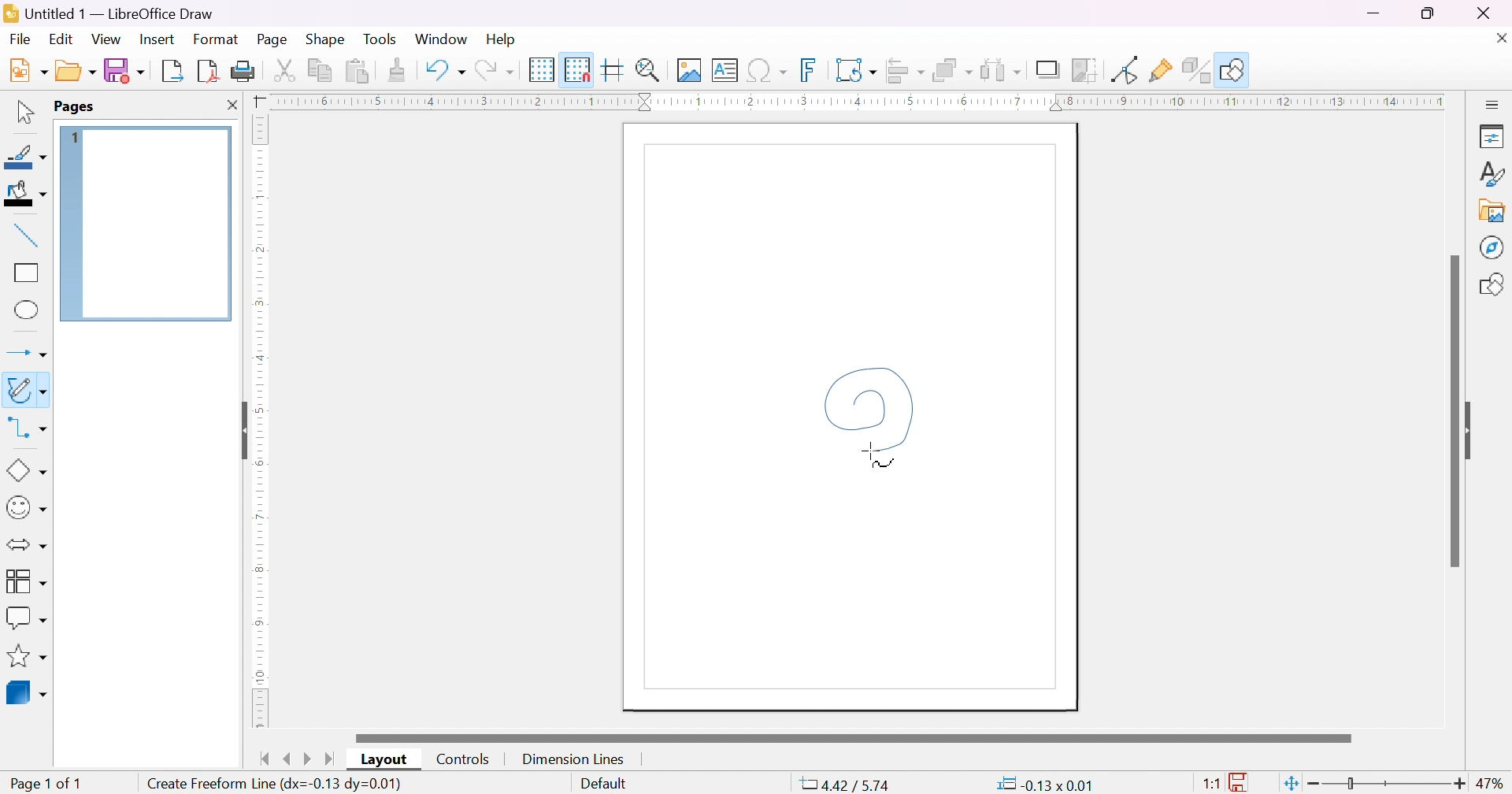 The image size is (1512, 794). What do you see at coordinates (210, 72) in the screenshot?
I see `export directly as PDF` at bounding box center [210, 72].